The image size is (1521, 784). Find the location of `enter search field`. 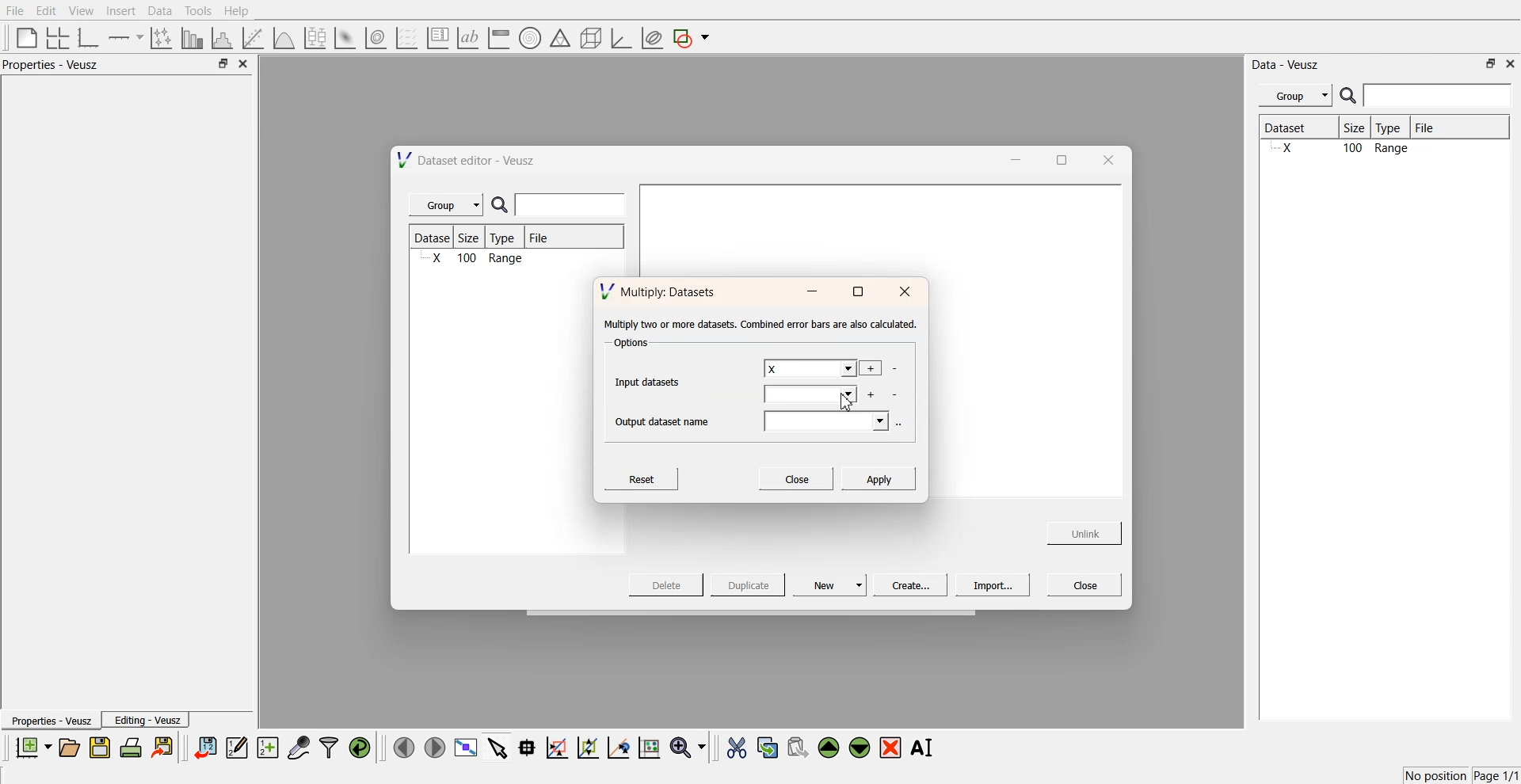

enter search field is located at coordinates (1439, 96).